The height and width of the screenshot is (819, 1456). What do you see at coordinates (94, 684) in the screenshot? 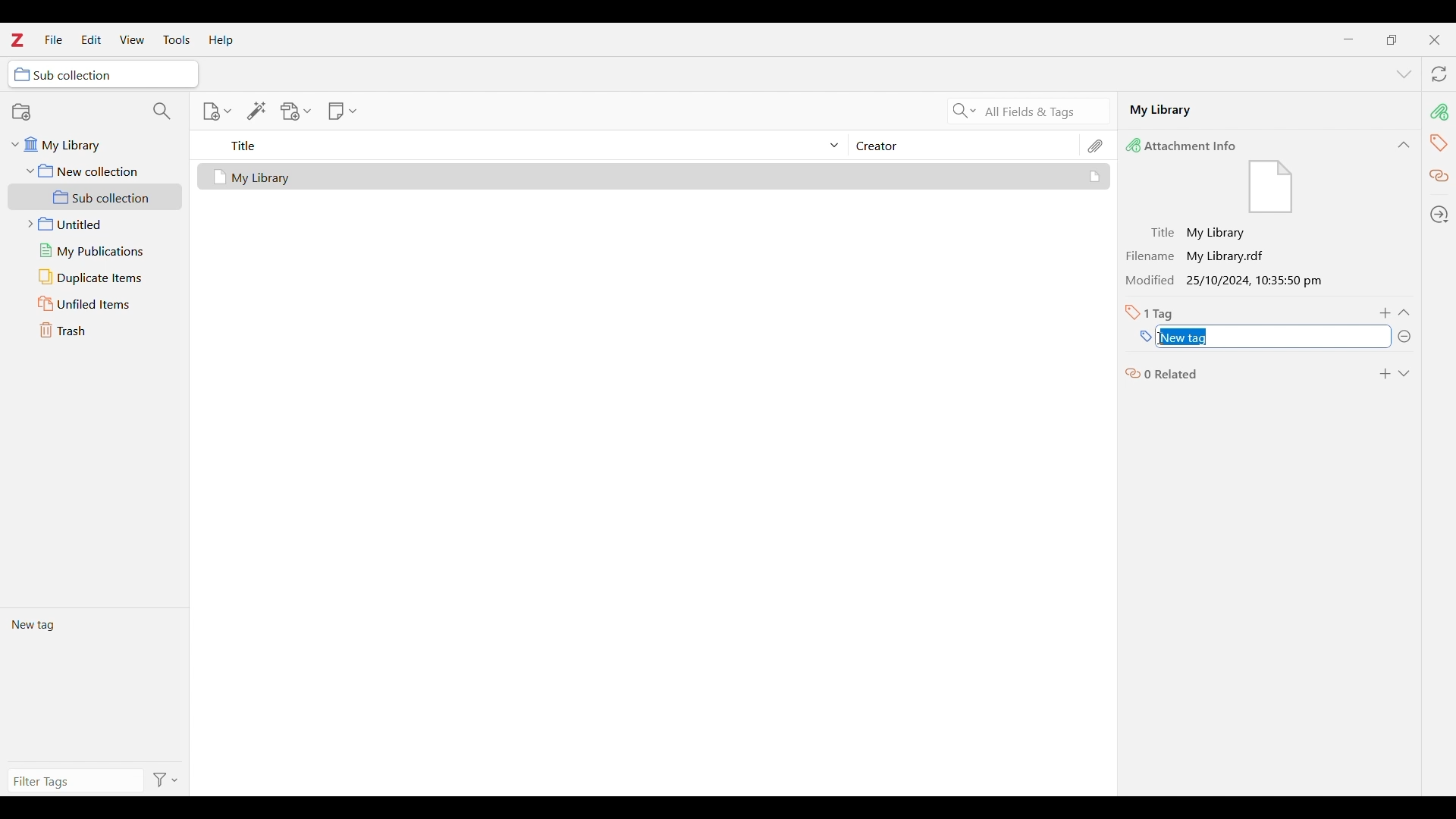
I see `Current tags` at bounding box center [94, 684].